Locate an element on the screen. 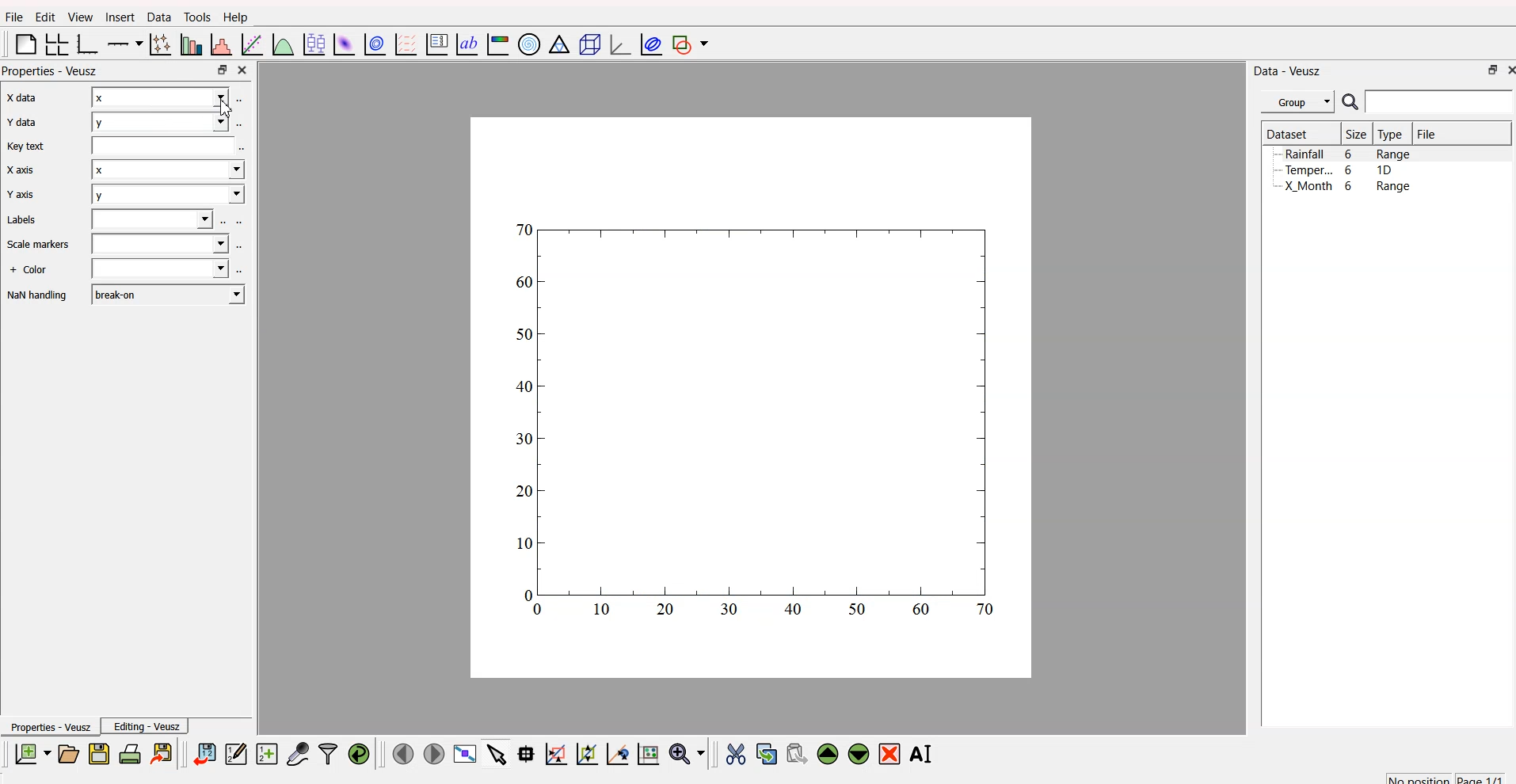 Image resolution: width=1516 pixels, height=784 pixels. polar graph is located at coordinates (531, 42).